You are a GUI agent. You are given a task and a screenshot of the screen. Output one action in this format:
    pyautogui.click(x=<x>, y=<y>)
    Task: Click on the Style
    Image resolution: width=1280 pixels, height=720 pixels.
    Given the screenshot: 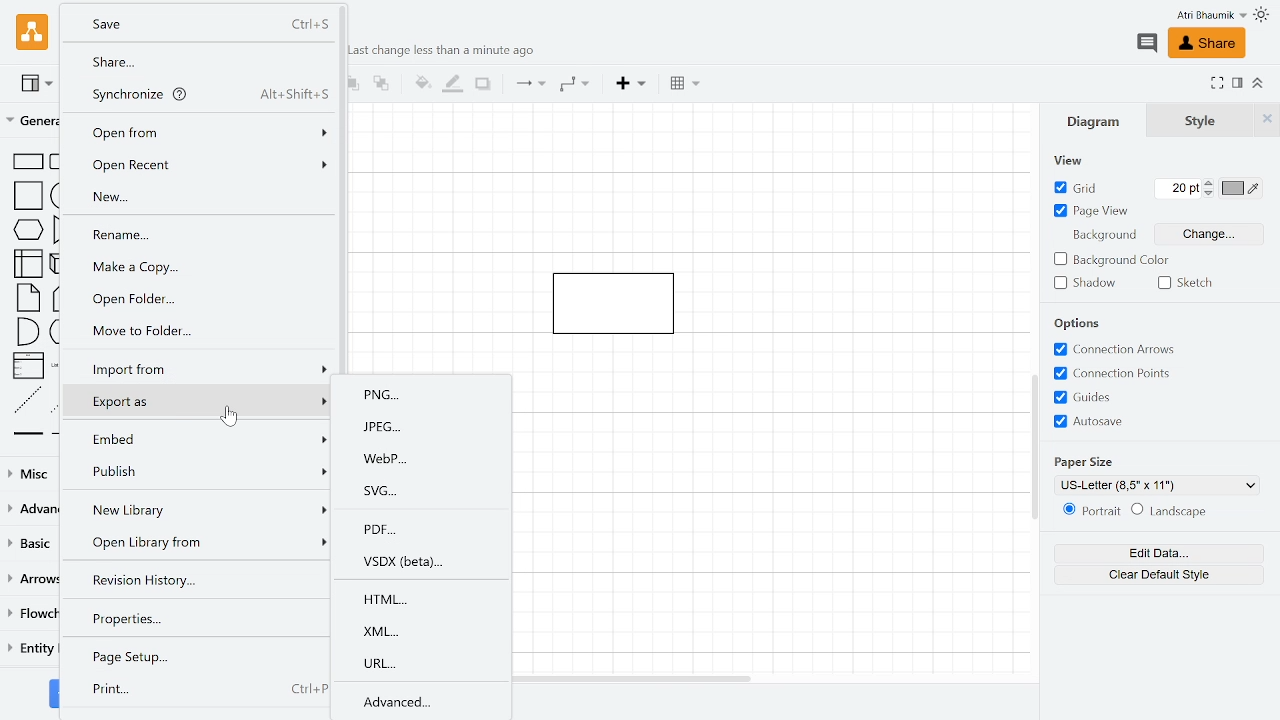 What is the action you would take?
    pyautogui.click(x=1192, y=120)
    